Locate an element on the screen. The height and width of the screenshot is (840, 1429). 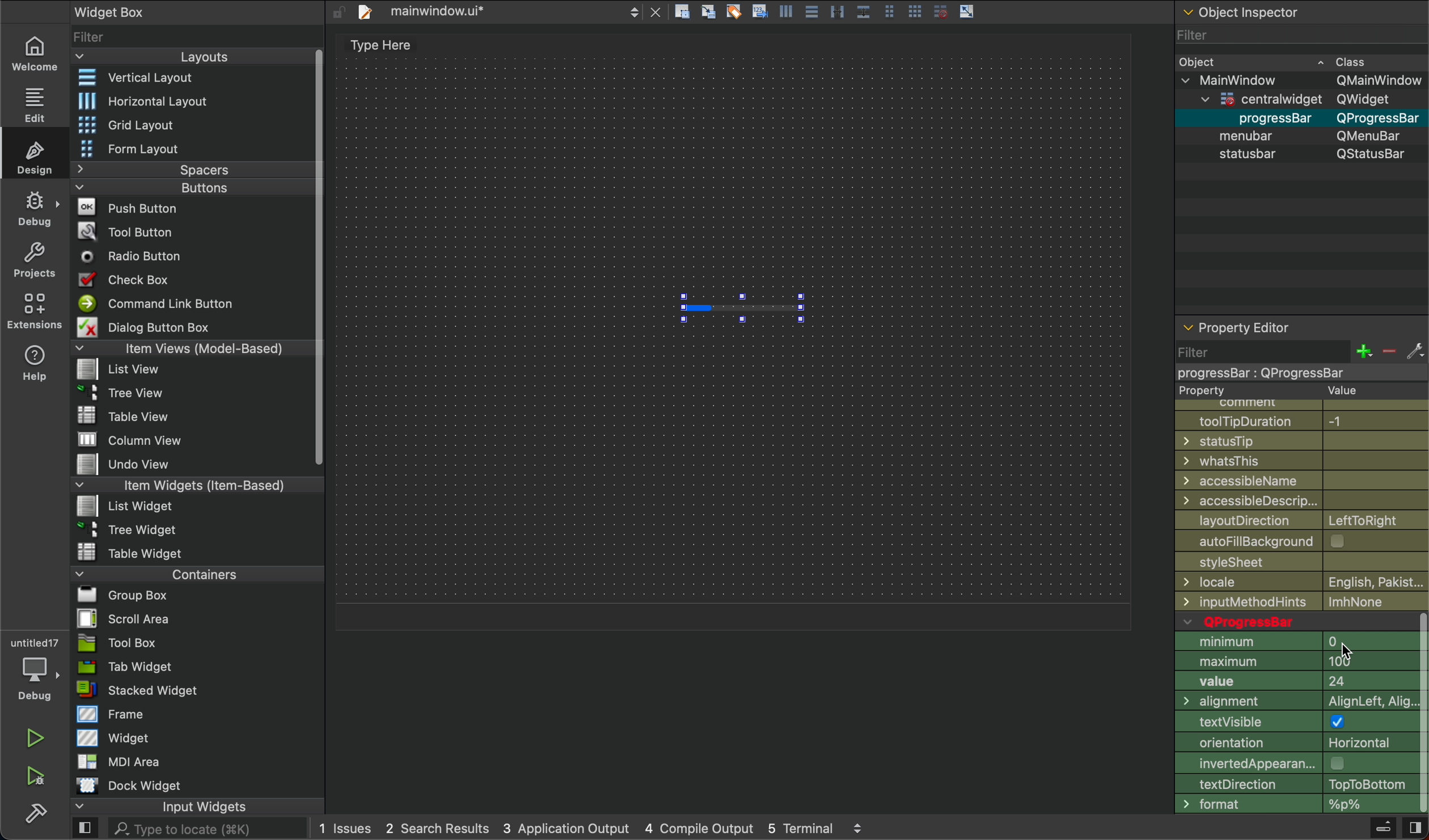
debug is located at coordinates (36, 209).